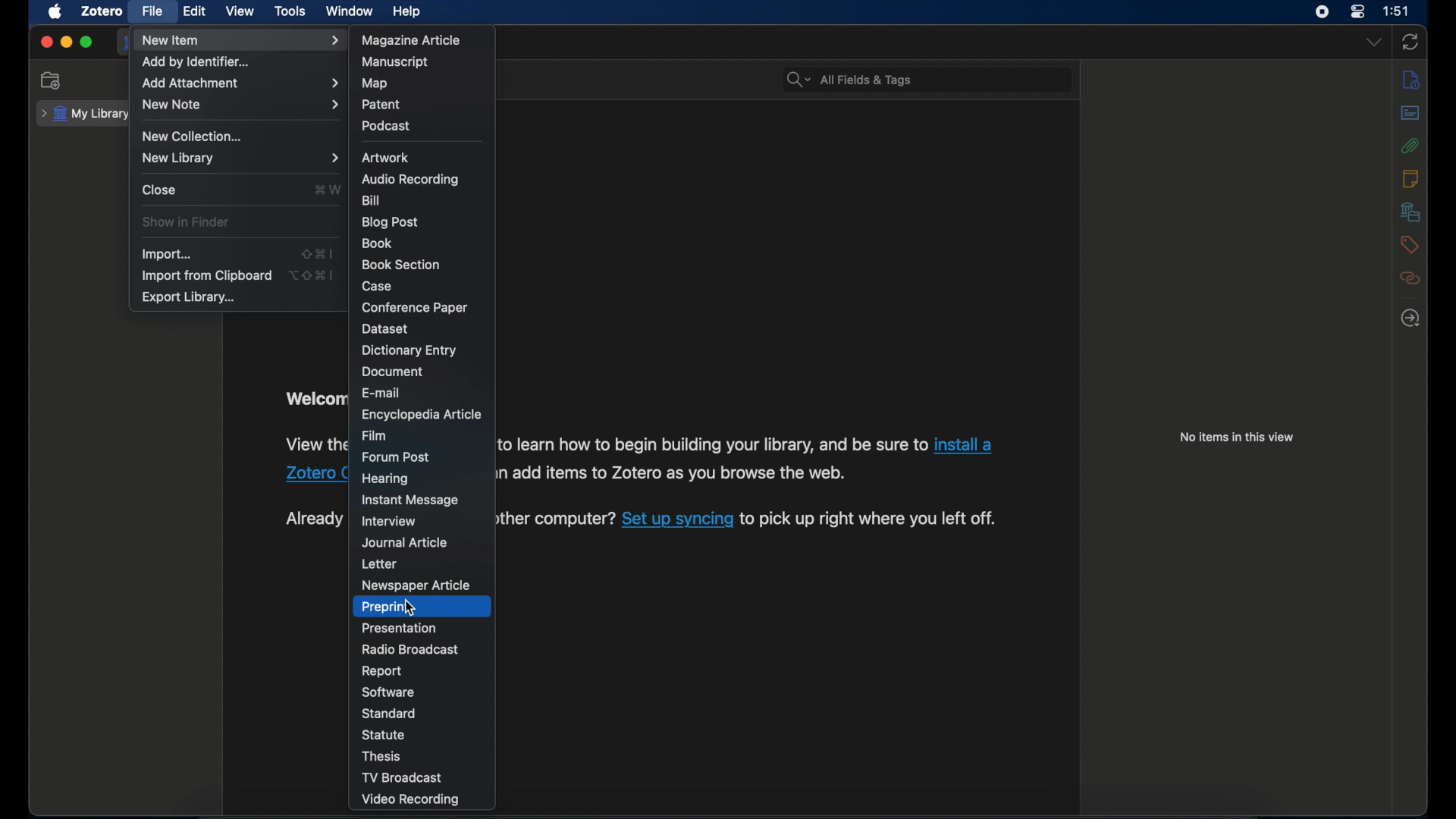  What do you see at coordinates (381, 564) in the screenshot?
I see `letter` at bounding box center [381, 564].